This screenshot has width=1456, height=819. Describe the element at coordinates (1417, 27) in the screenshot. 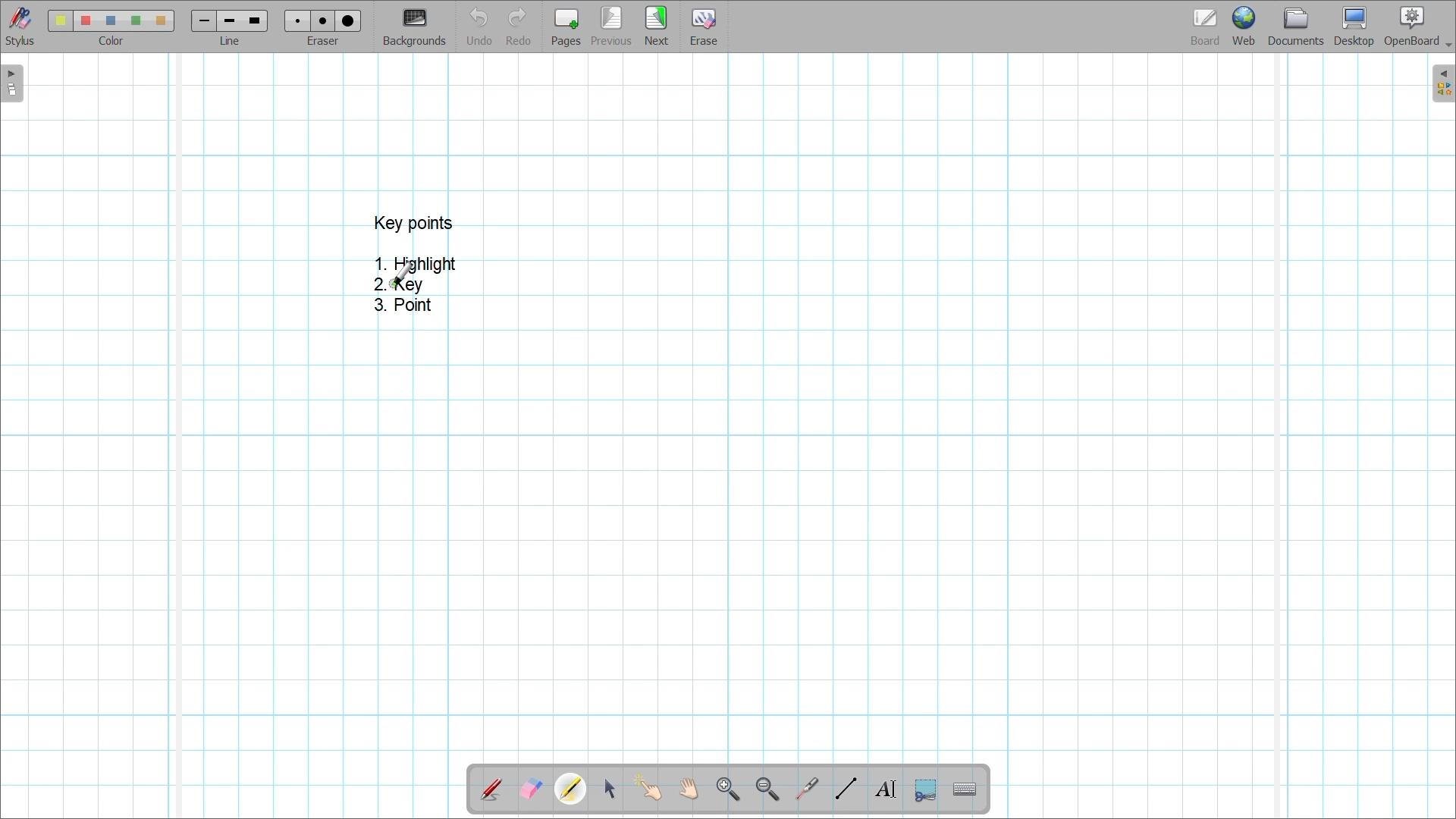

I see `OpenBoard` at that location.